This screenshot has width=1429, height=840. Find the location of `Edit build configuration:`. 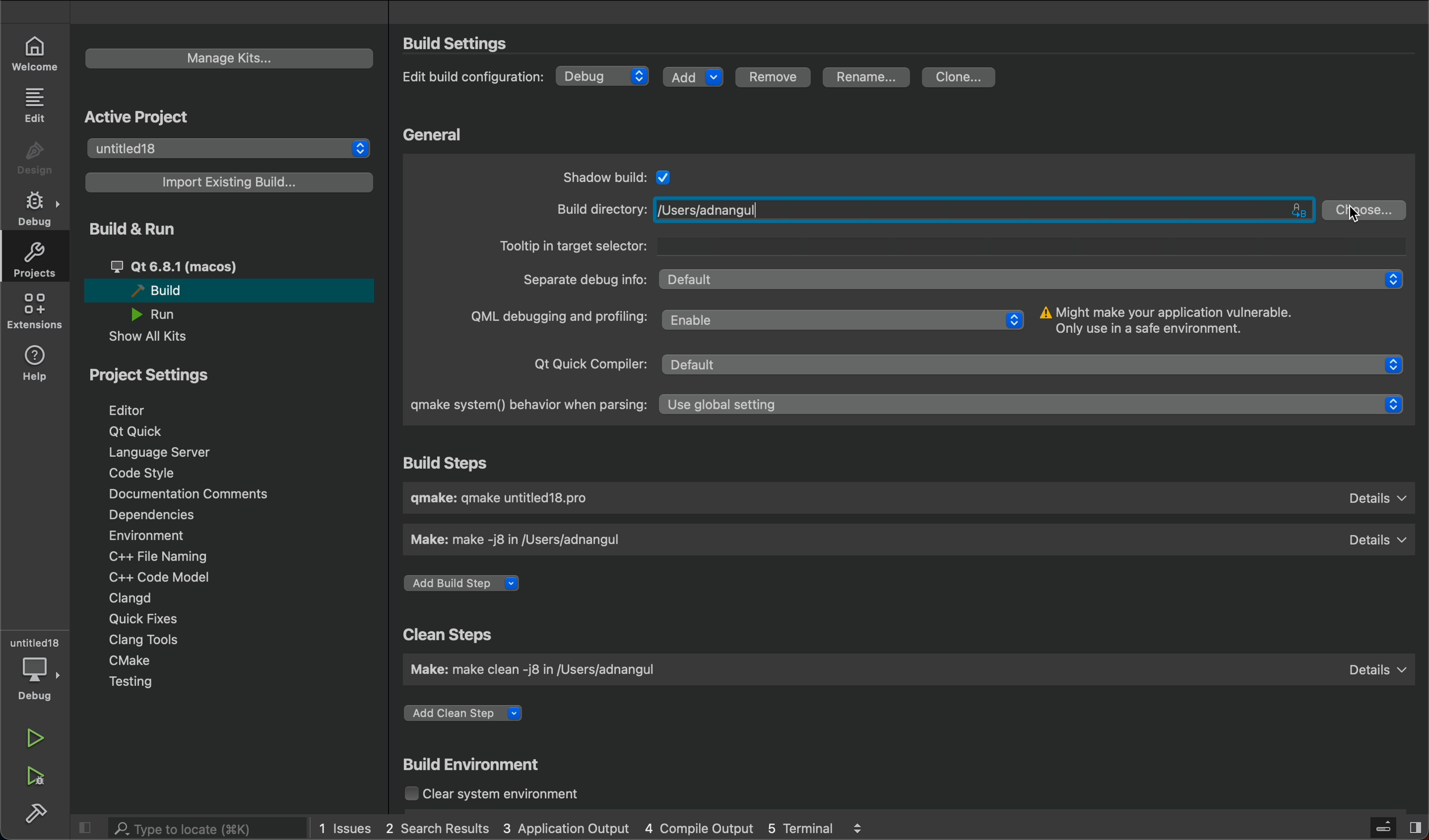

Edit build configuration: is located at coordinates (472, 77).